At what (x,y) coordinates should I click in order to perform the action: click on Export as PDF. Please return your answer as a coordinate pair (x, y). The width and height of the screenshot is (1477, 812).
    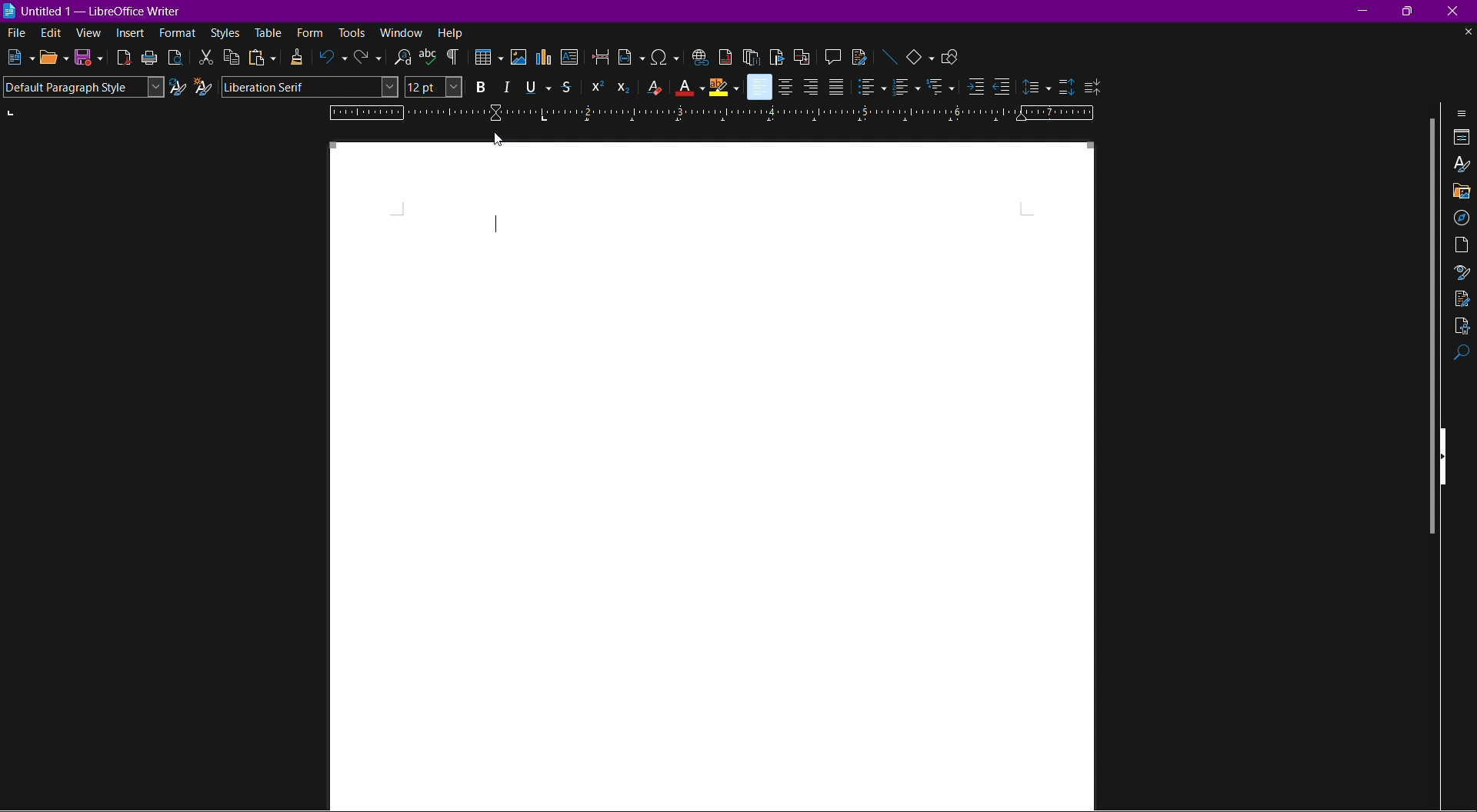
    Looking at the image, I should click on (124, 58).